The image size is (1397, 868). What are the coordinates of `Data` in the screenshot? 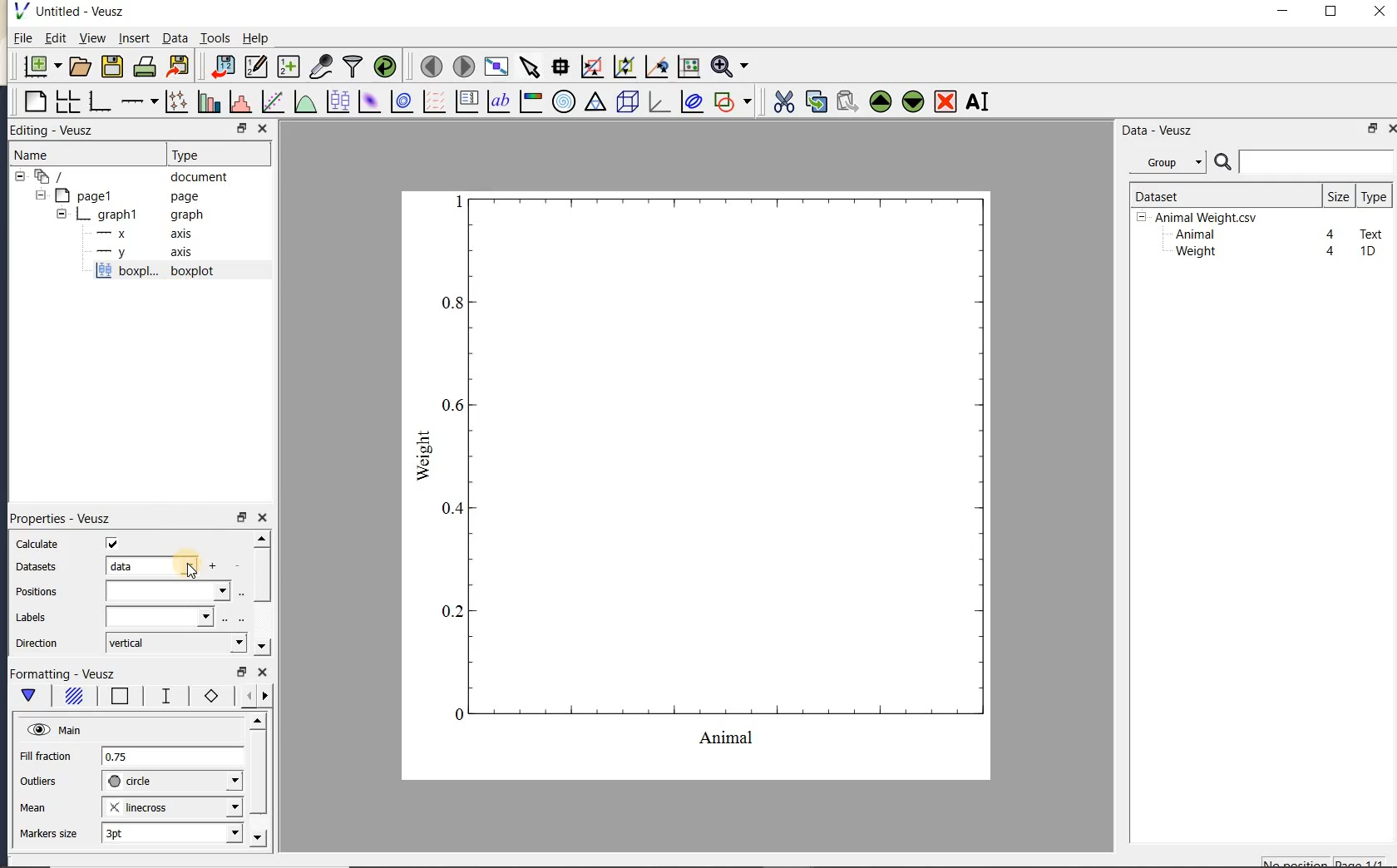 It's located at (175, 37).